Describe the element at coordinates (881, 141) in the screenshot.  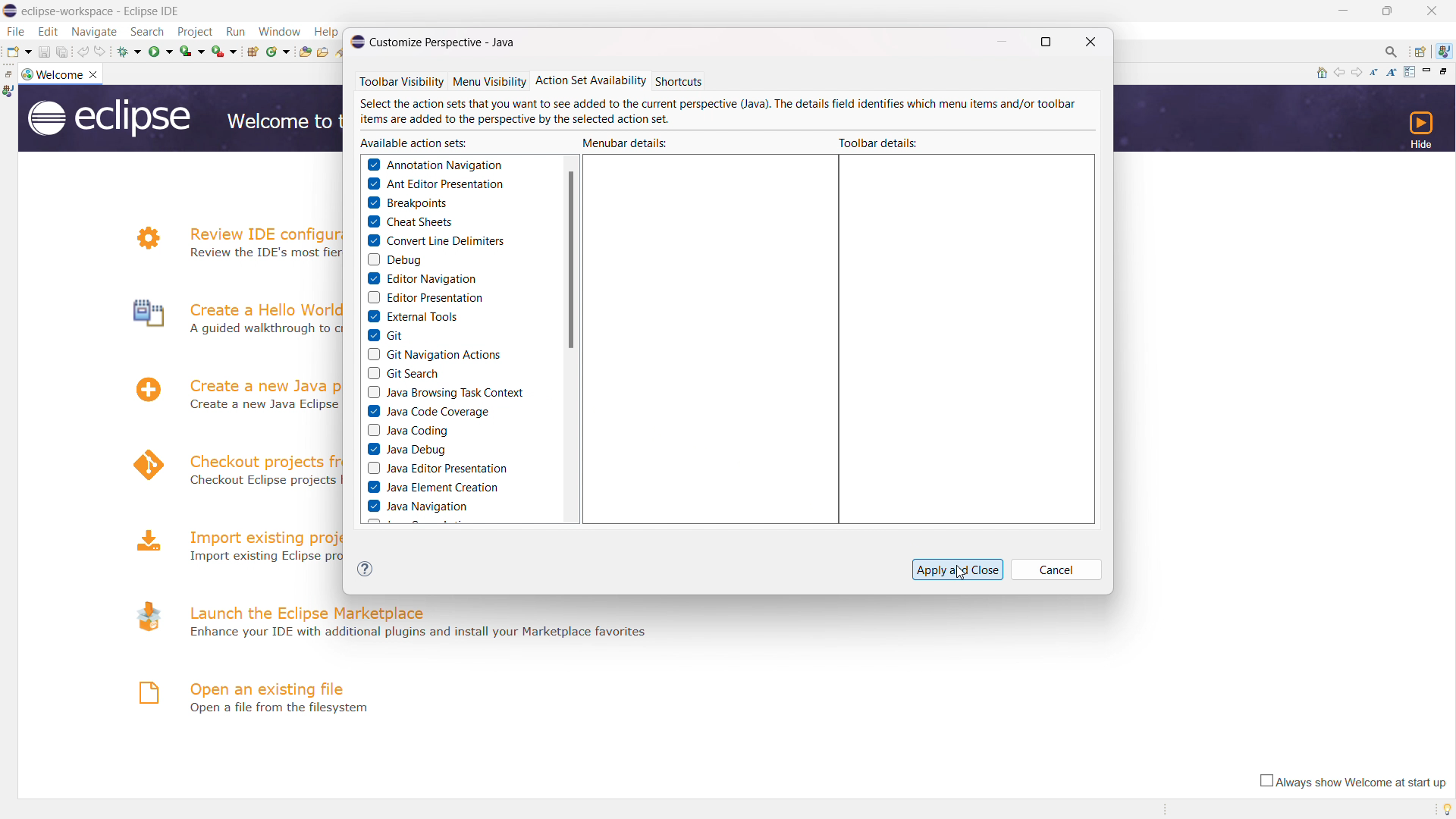
I see `toolbat details` at that location.